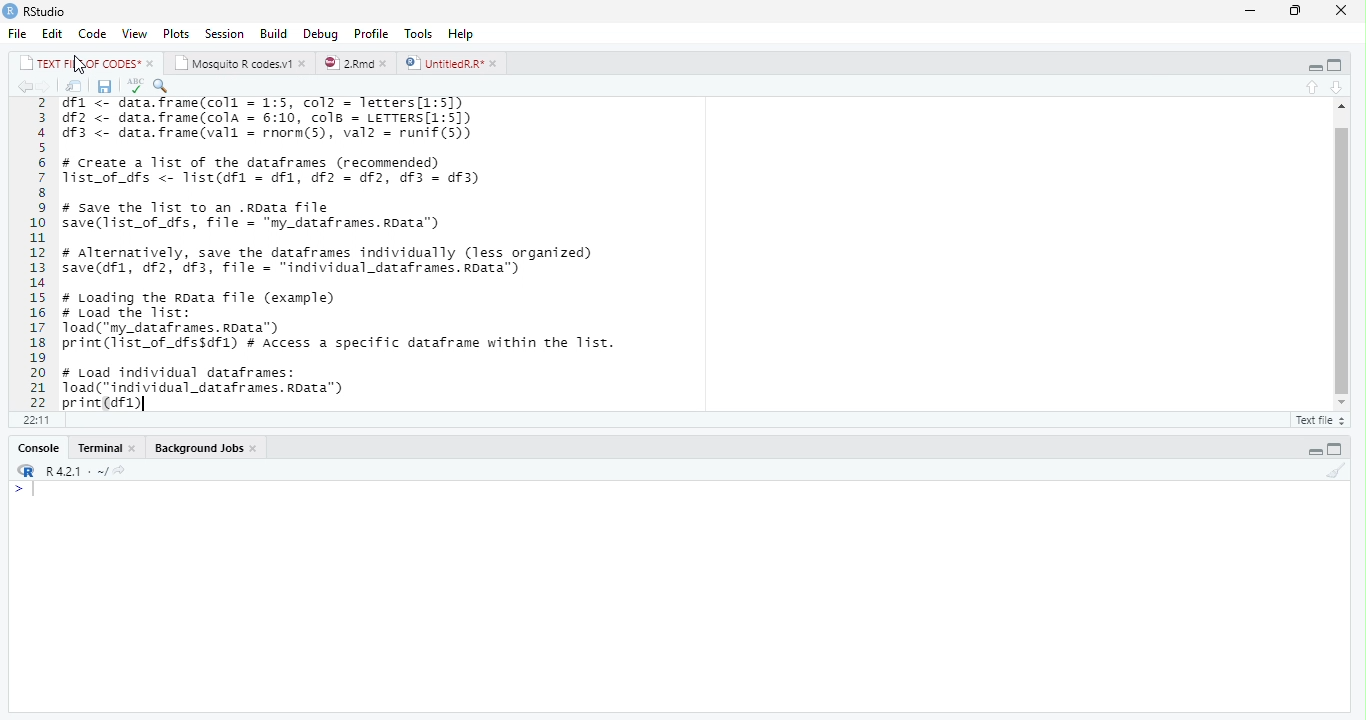  What do you see at coordinates (80, 66) in the screenshot?
I see `cursor` at bounding box center [80, 66].